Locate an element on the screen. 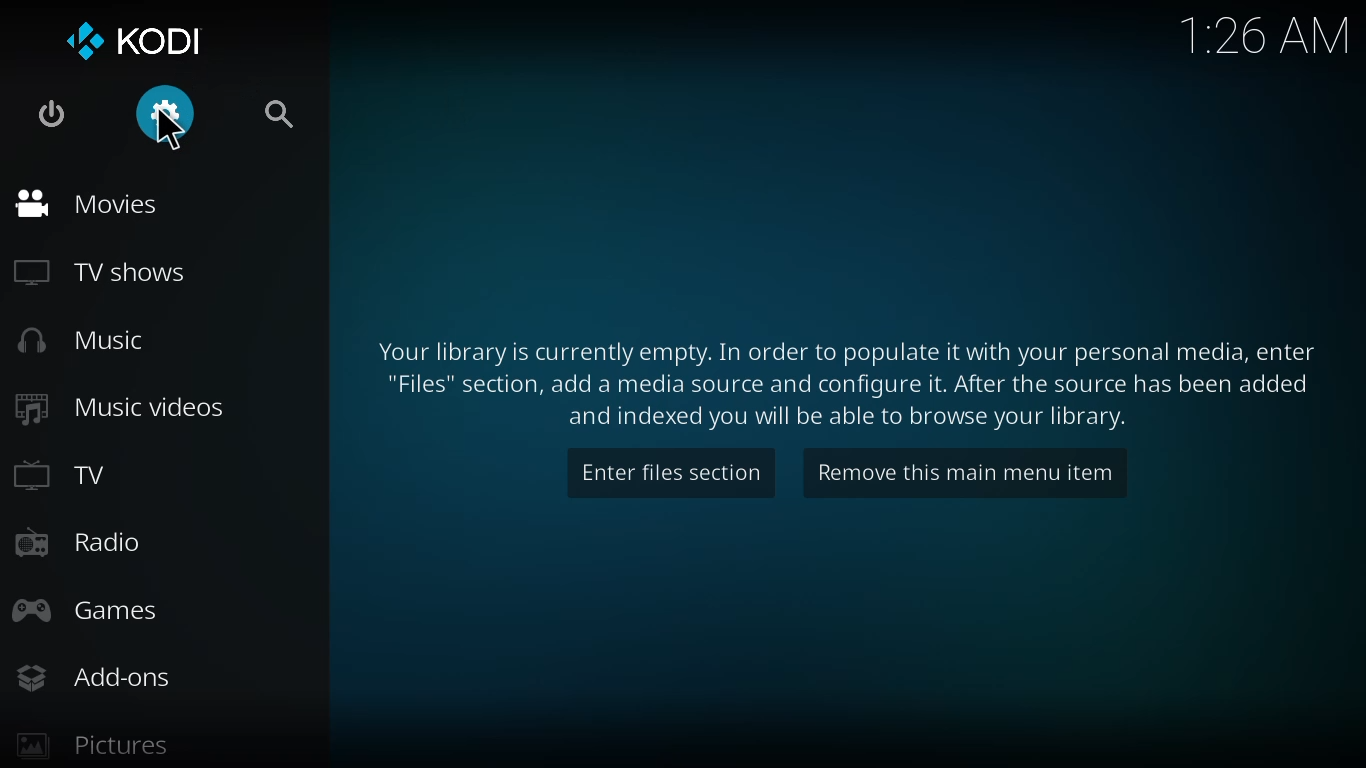 The width and height of the screenshot is (1366, 768). radio is located at coordinates (81, 540).